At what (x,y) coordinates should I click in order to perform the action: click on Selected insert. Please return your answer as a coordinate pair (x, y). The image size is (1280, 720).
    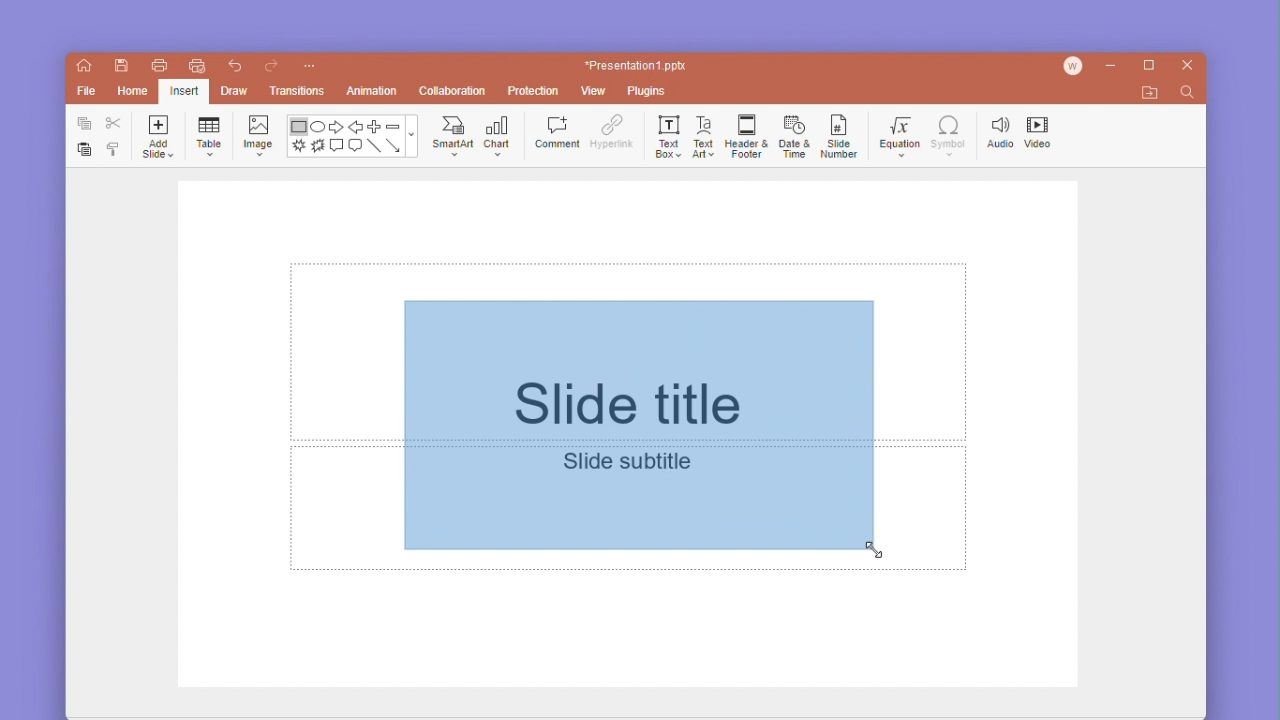
    Looking at the image, I should click on (184, 91).